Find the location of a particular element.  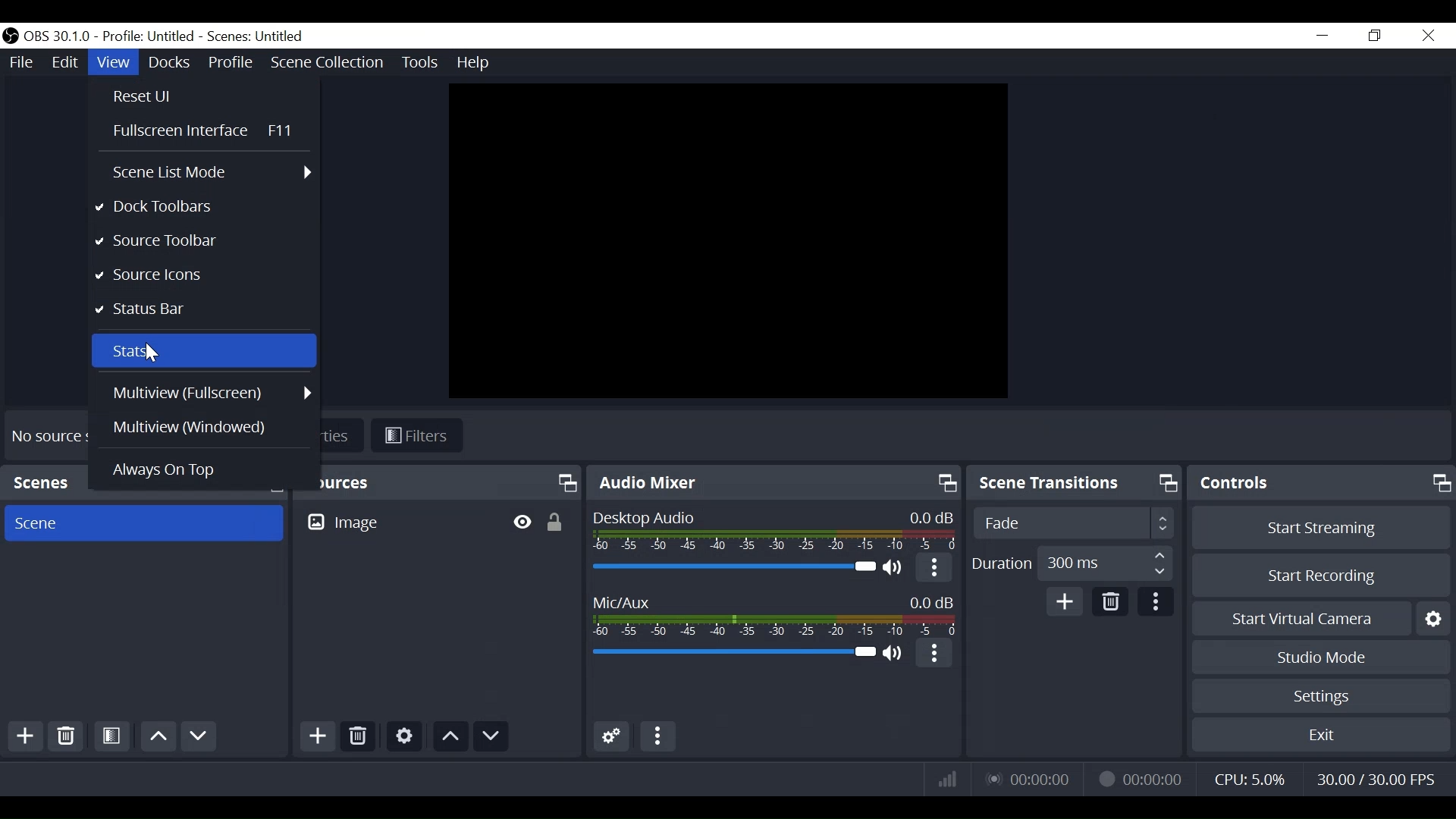

More Options is located at coordinates (657, 736).